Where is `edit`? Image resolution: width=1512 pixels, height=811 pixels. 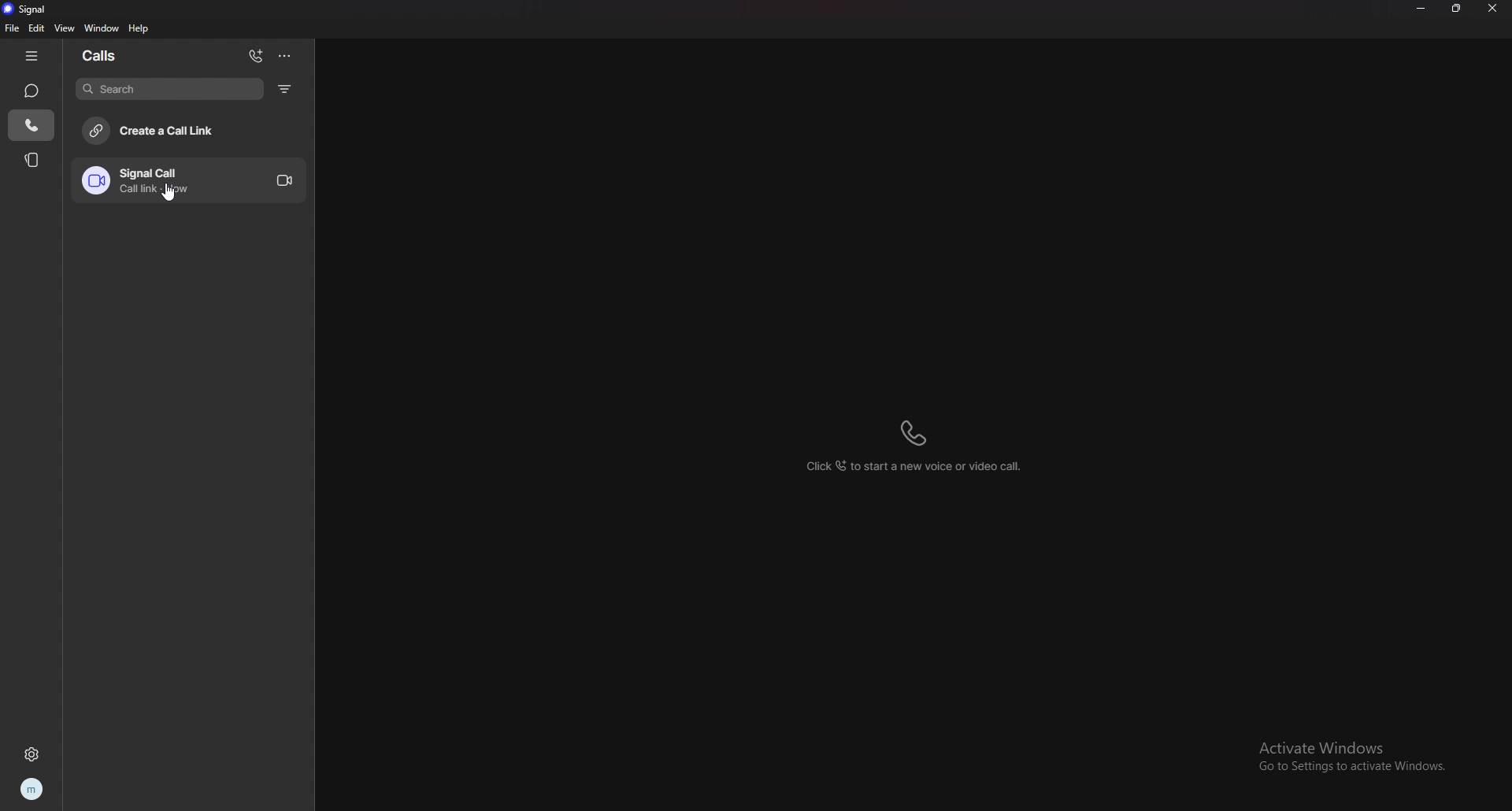 edit is located at coordinates (37, 28).